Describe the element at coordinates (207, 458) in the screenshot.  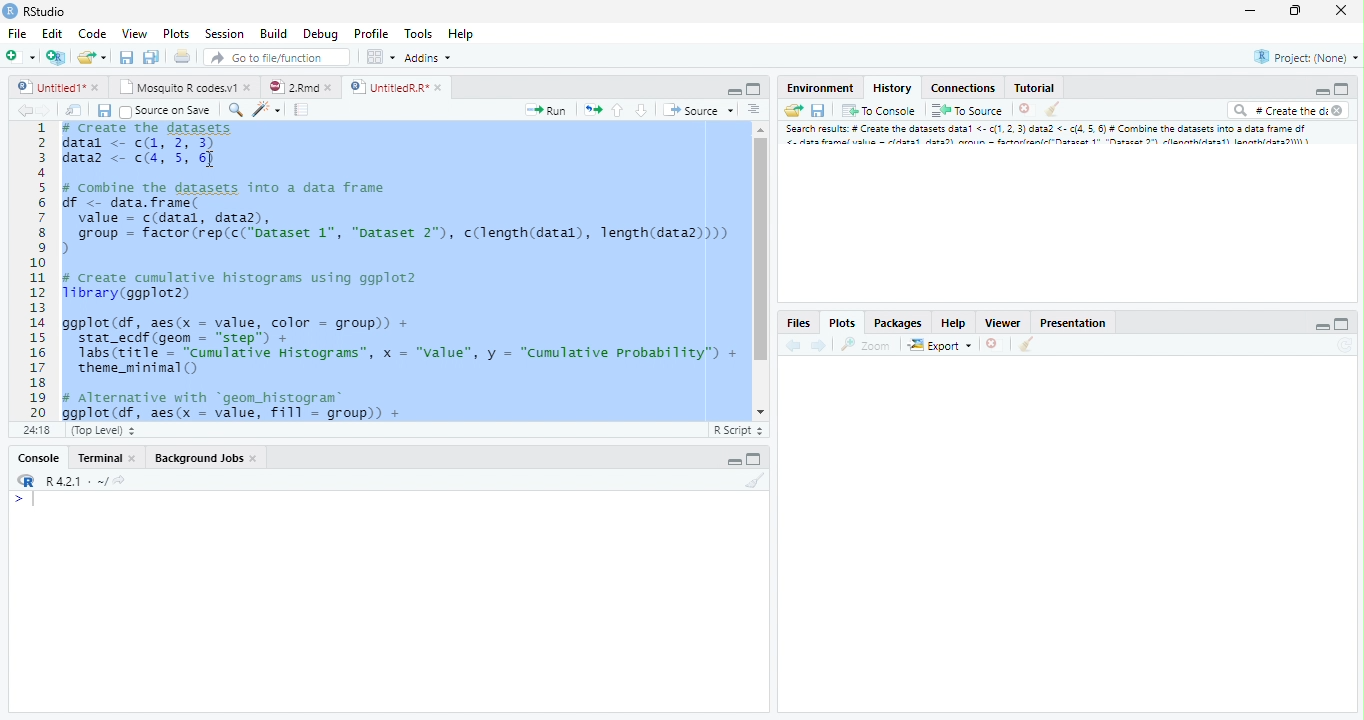
I see `Background Jobs` at that location.